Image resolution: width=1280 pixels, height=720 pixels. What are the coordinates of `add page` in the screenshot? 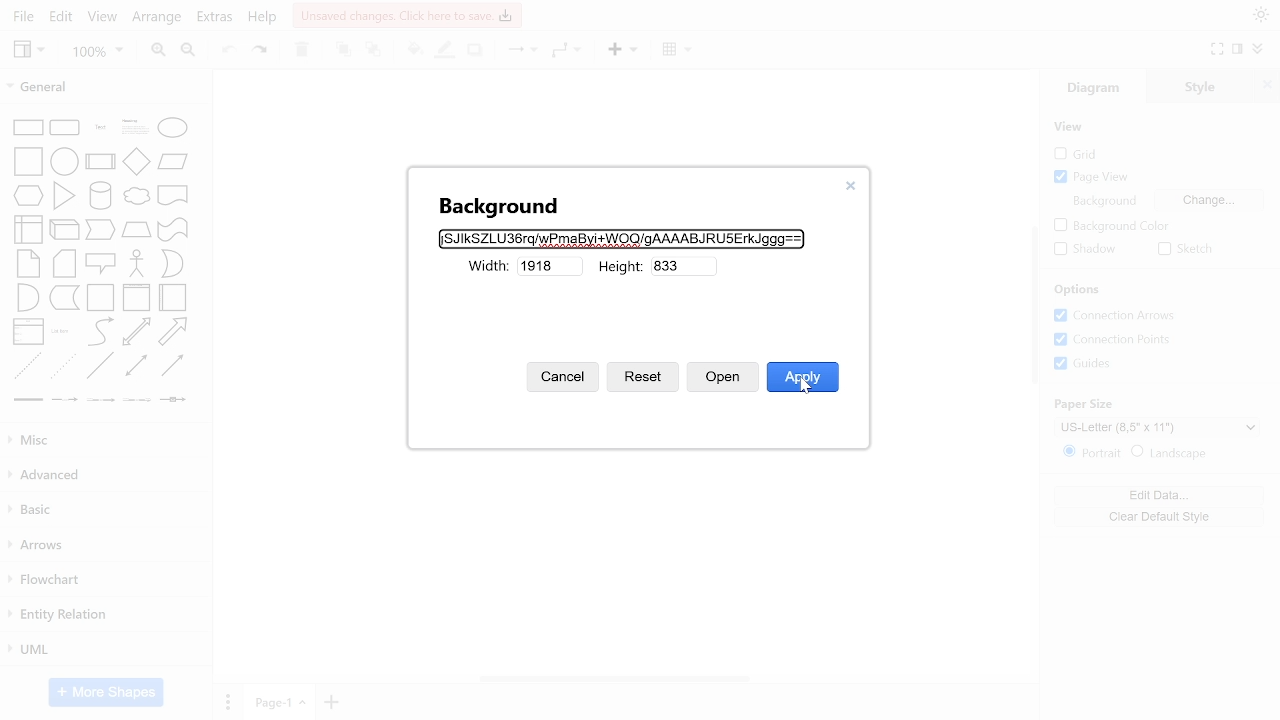 It's located at (330, 703).